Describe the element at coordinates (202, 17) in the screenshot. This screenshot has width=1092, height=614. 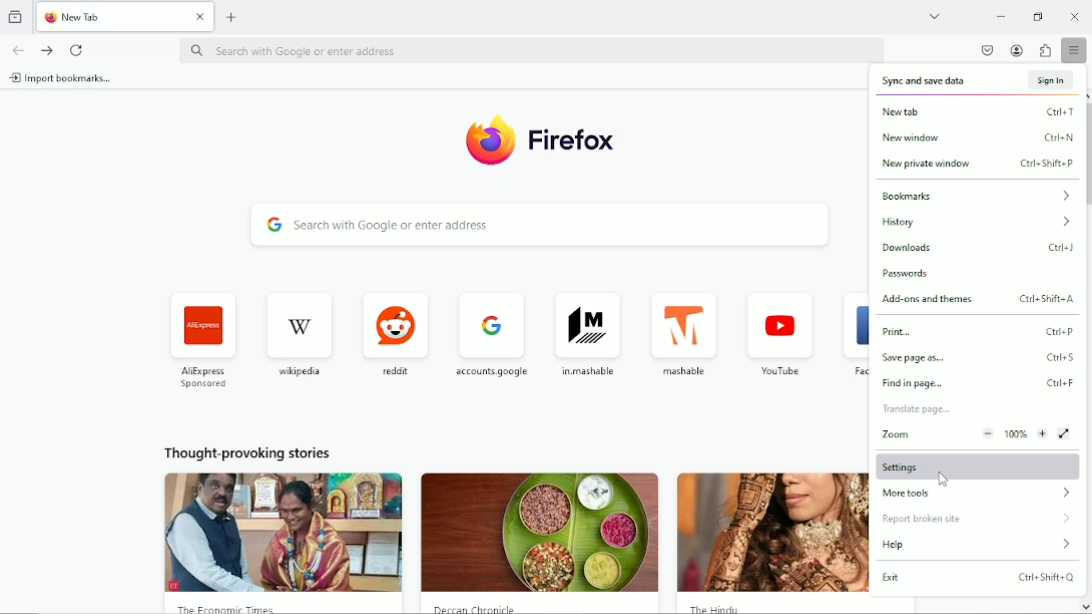
I see `close` at that location.